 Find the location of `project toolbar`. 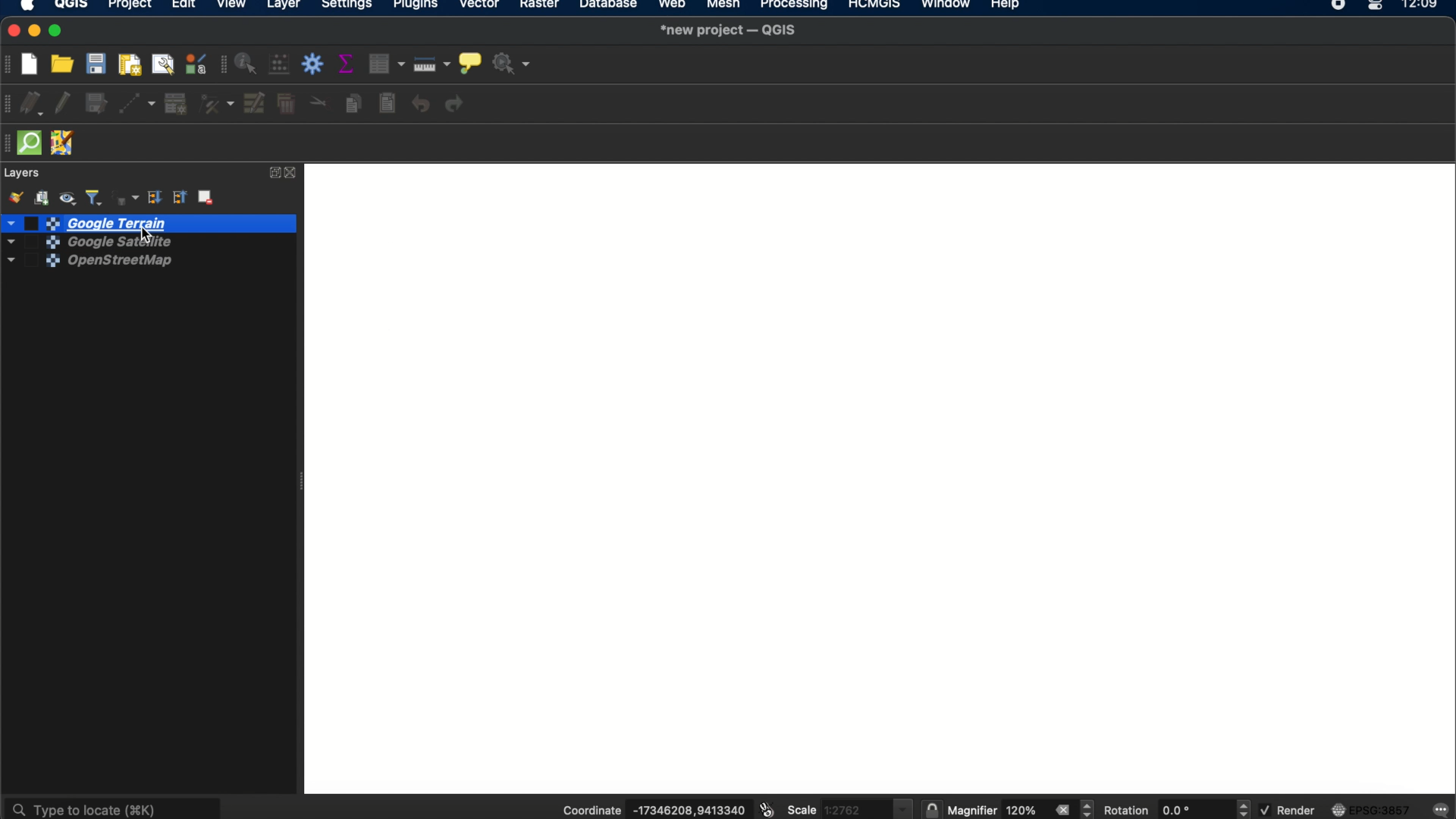

project toolbar is located at coordinates (9, 64).